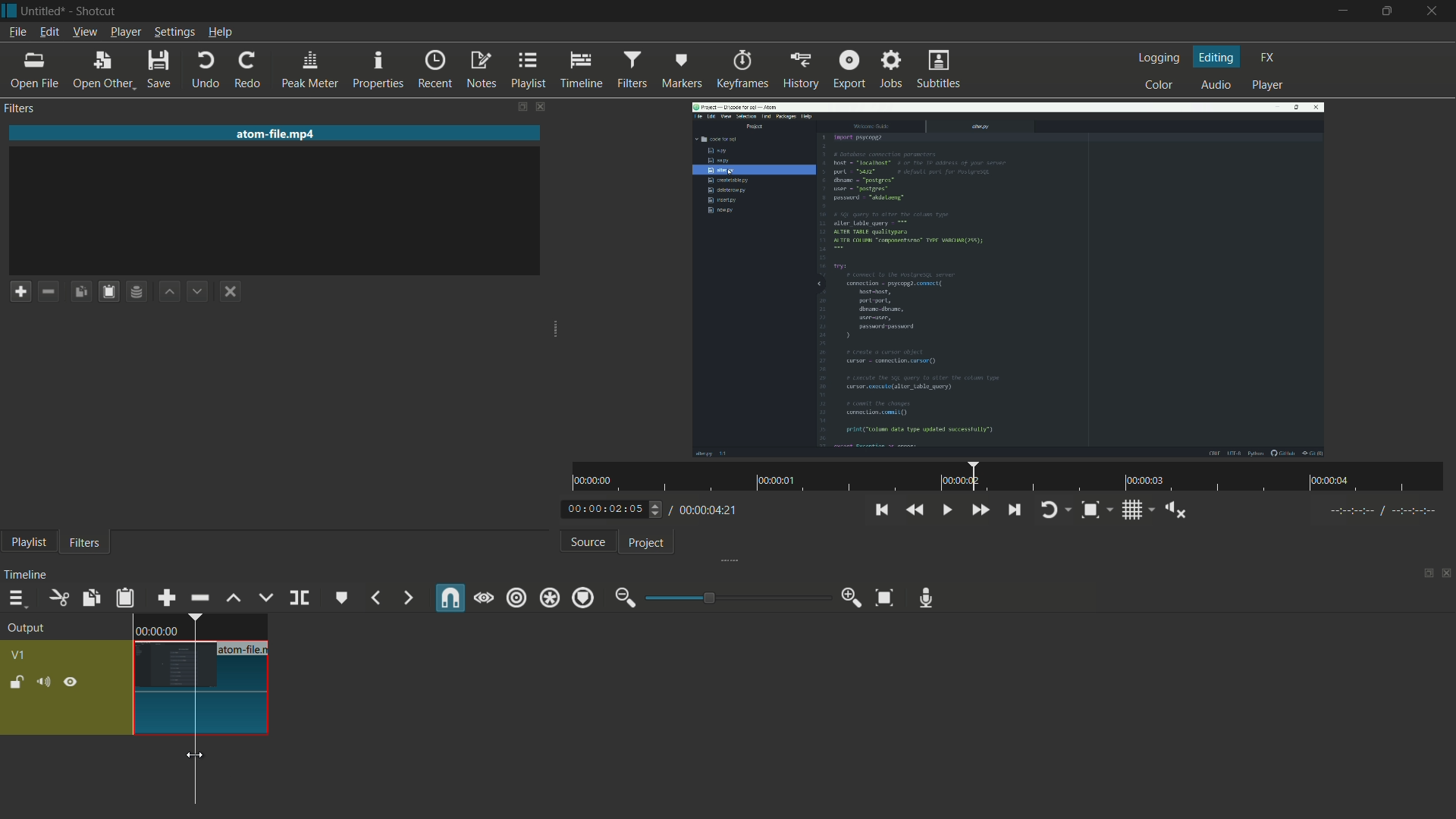  What do you see at coordinates (606, 508) in the screenshot?
I see `current time` at bounding box center [606, 508].